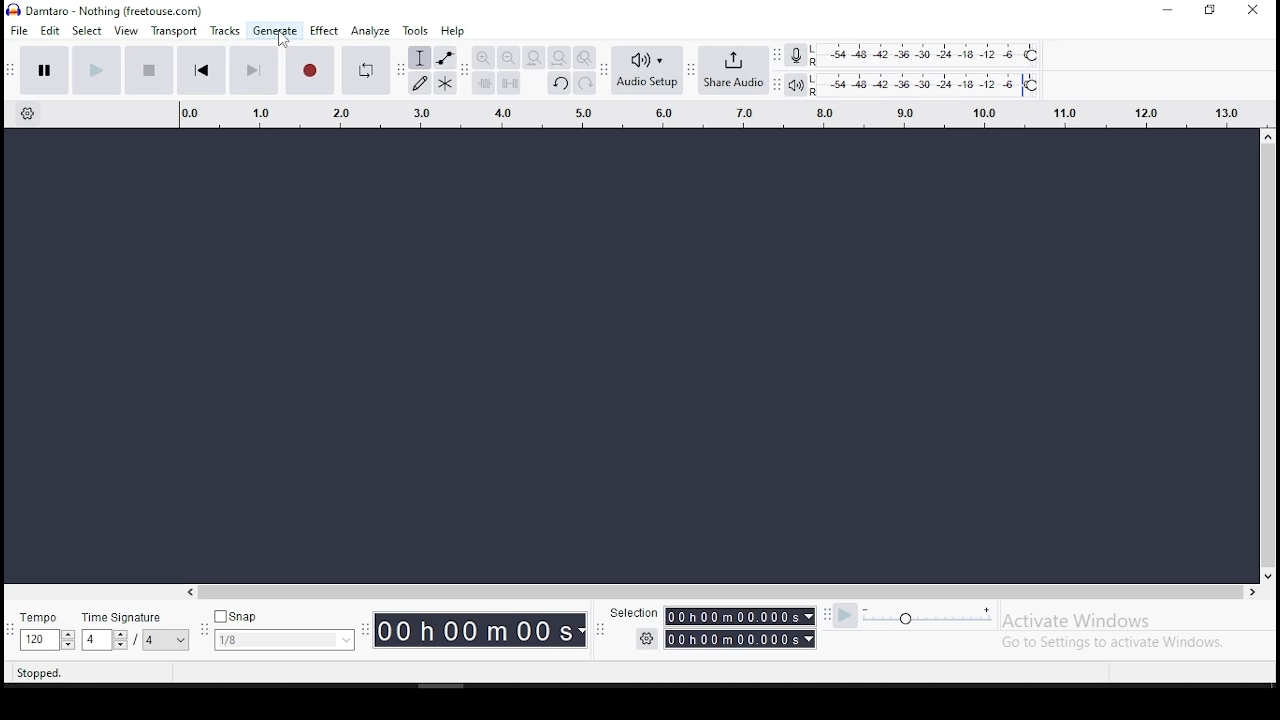 This screenshot has width=1280, height=720. Describe the element at coordinates (1253, 9) in the screenshot. I see `close window` at that location.